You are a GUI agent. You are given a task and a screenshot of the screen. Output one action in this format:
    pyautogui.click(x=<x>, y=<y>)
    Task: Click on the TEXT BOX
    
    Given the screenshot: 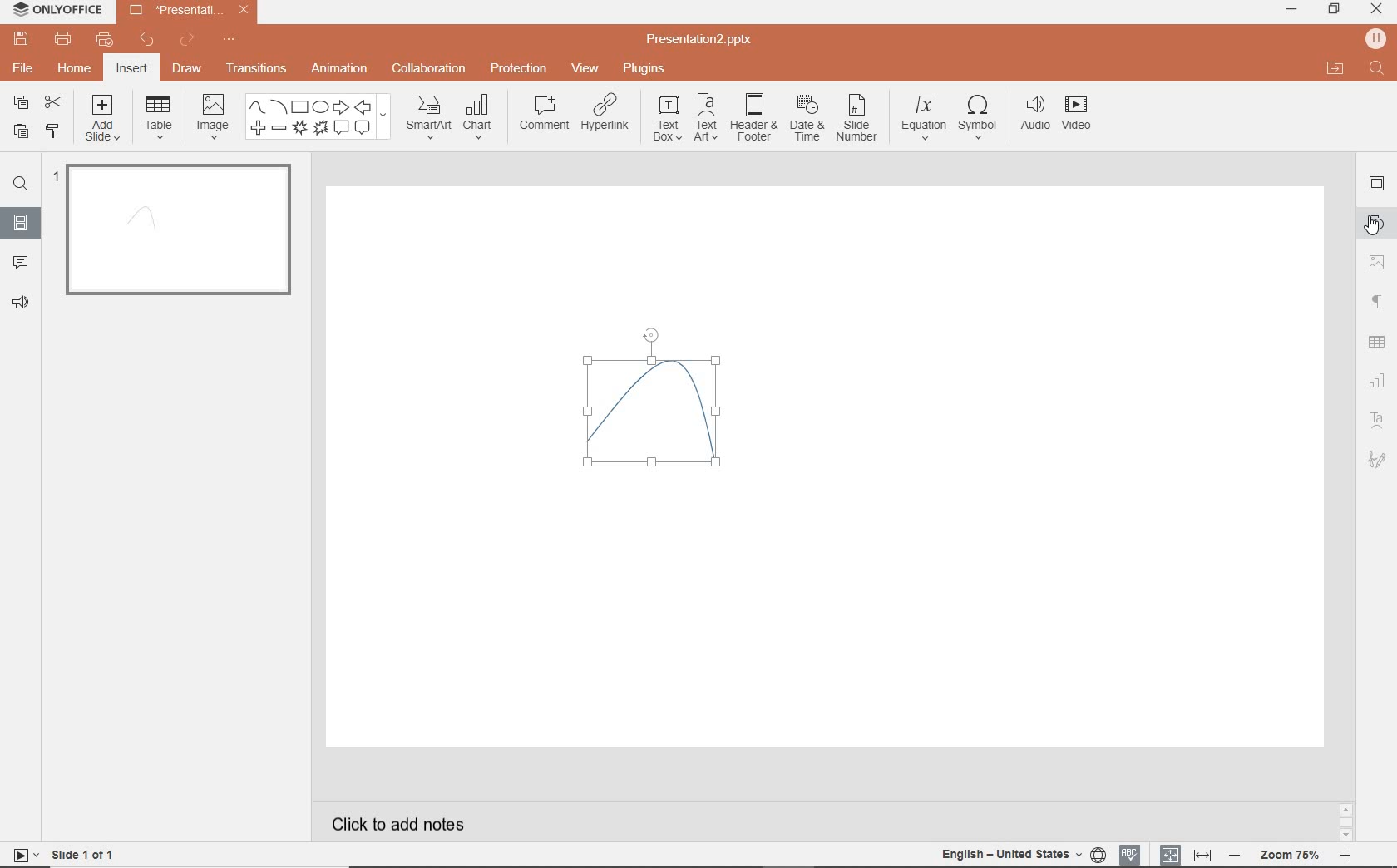 What is the action you would take?
    pyautogui.click(x=665, y=121)
    